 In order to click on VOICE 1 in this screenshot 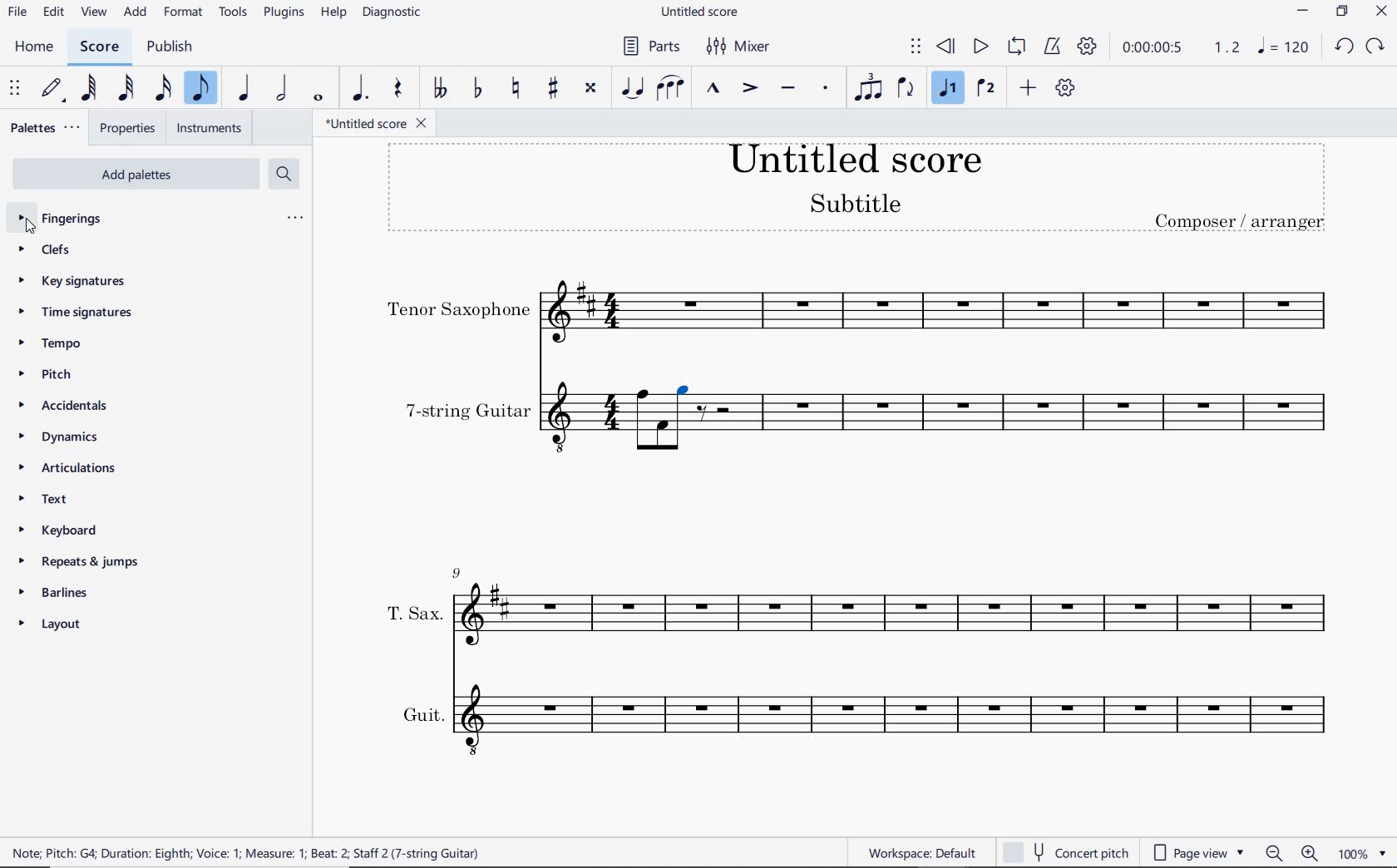, I will do `click(945, 89)`.